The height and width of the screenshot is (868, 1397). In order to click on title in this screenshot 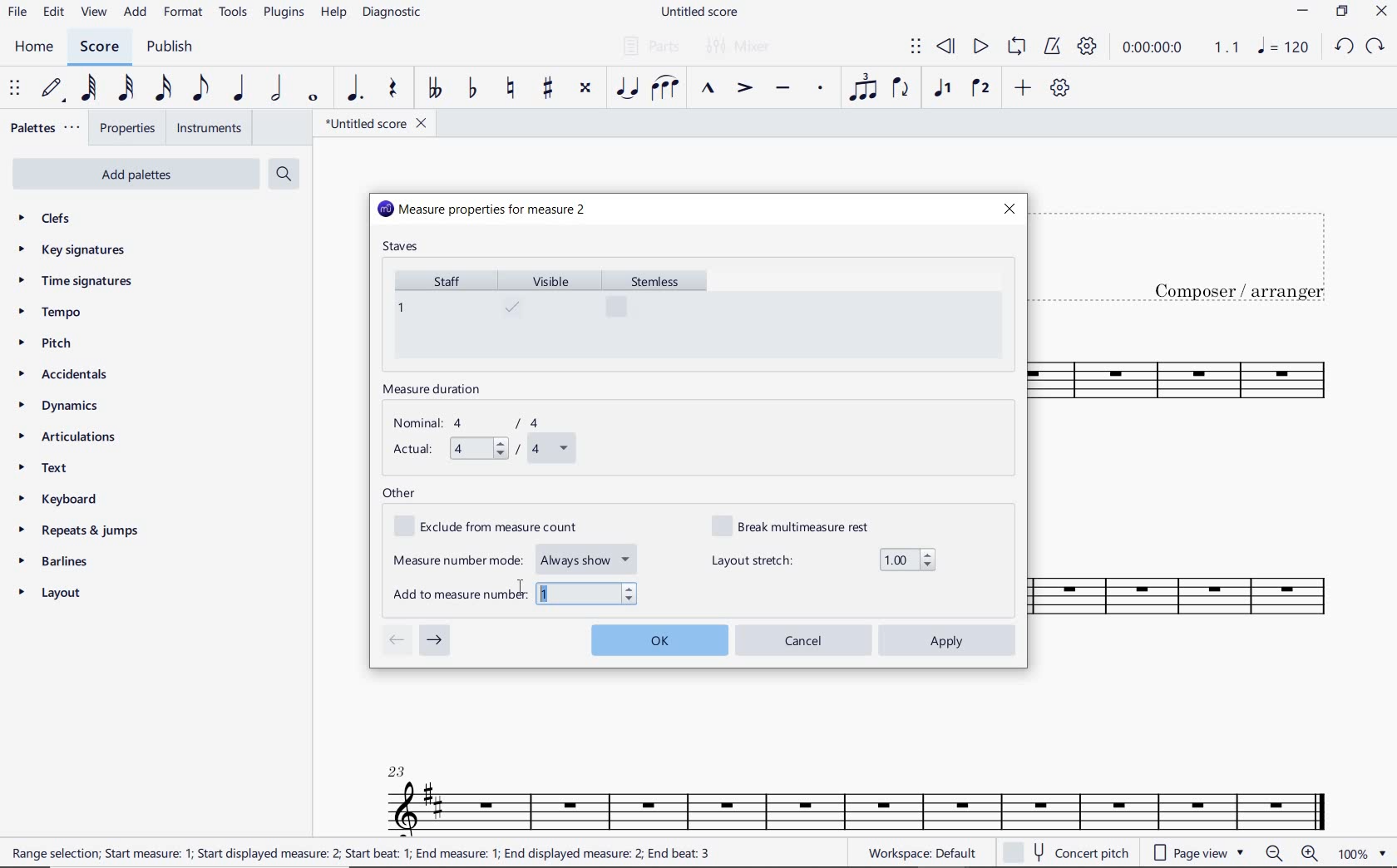, I will do `click(1196, 253)`.